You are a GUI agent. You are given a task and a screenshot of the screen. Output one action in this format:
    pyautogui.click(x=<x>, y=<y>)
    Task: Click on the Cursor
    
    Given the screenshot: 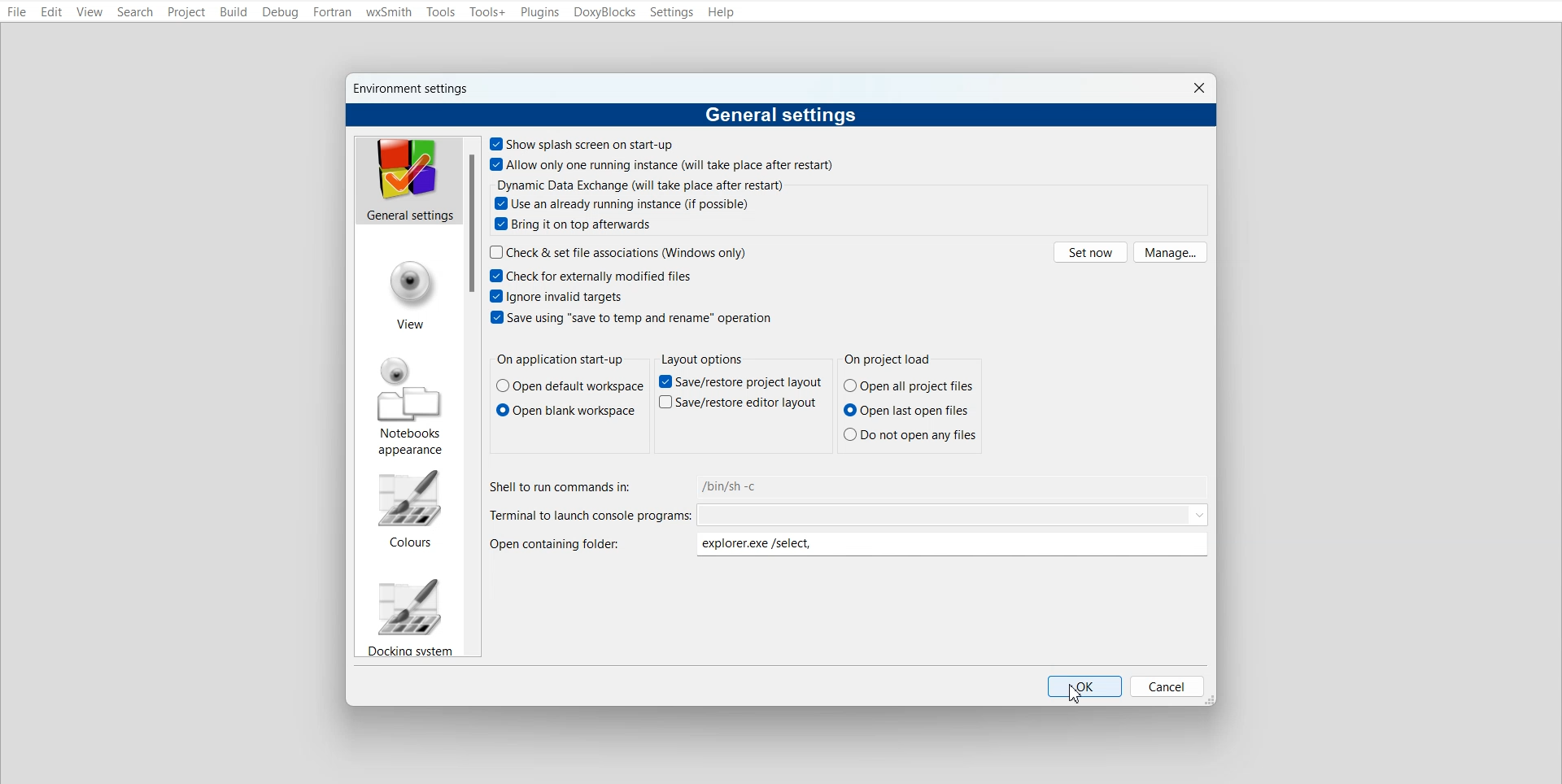 What is the action you would take?
    pyautogui.click(x=1077, y=694)
    